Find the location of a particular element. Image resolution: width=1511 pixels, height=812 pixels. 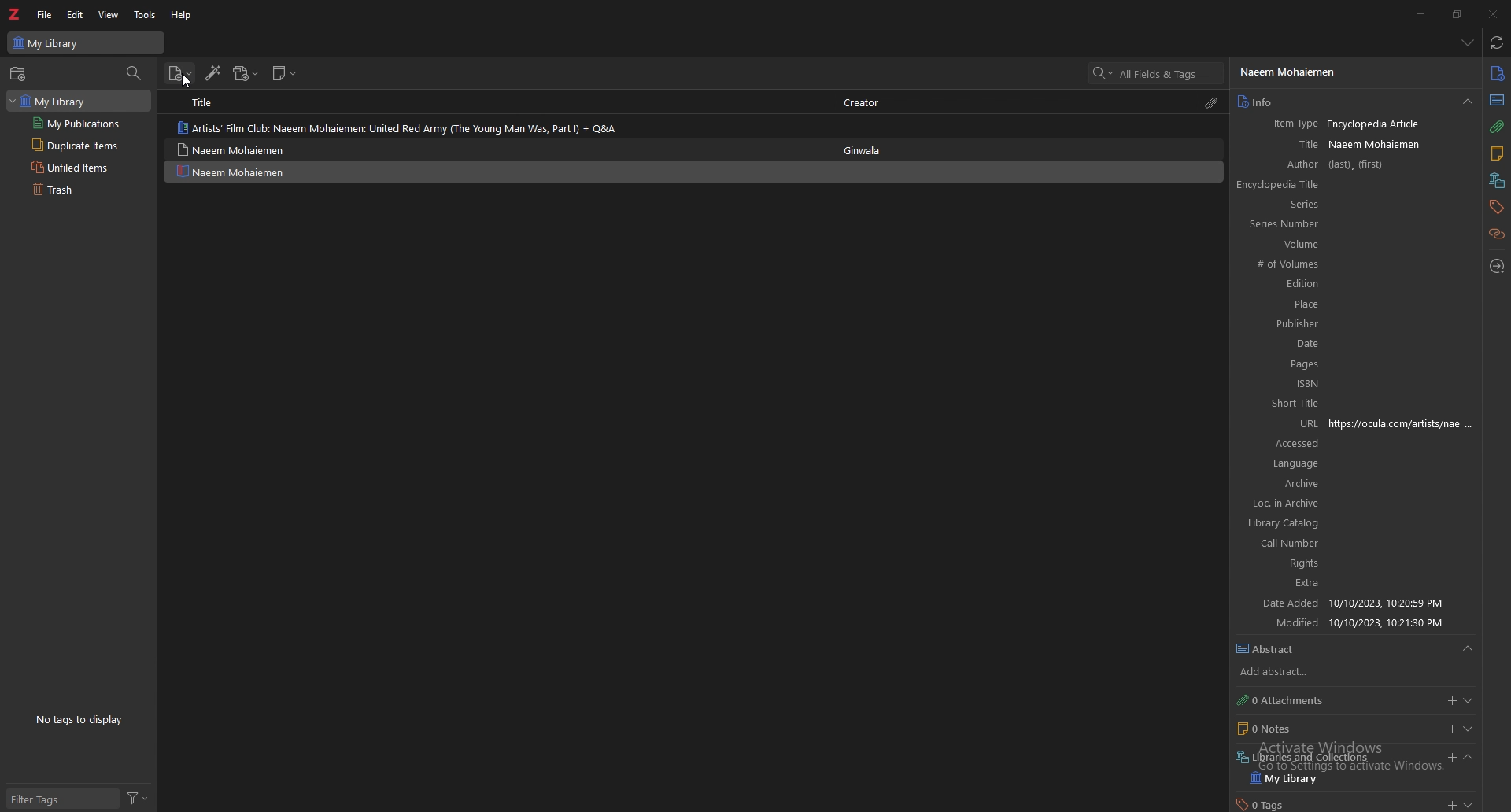

title is located at coordinates (1281, 143).